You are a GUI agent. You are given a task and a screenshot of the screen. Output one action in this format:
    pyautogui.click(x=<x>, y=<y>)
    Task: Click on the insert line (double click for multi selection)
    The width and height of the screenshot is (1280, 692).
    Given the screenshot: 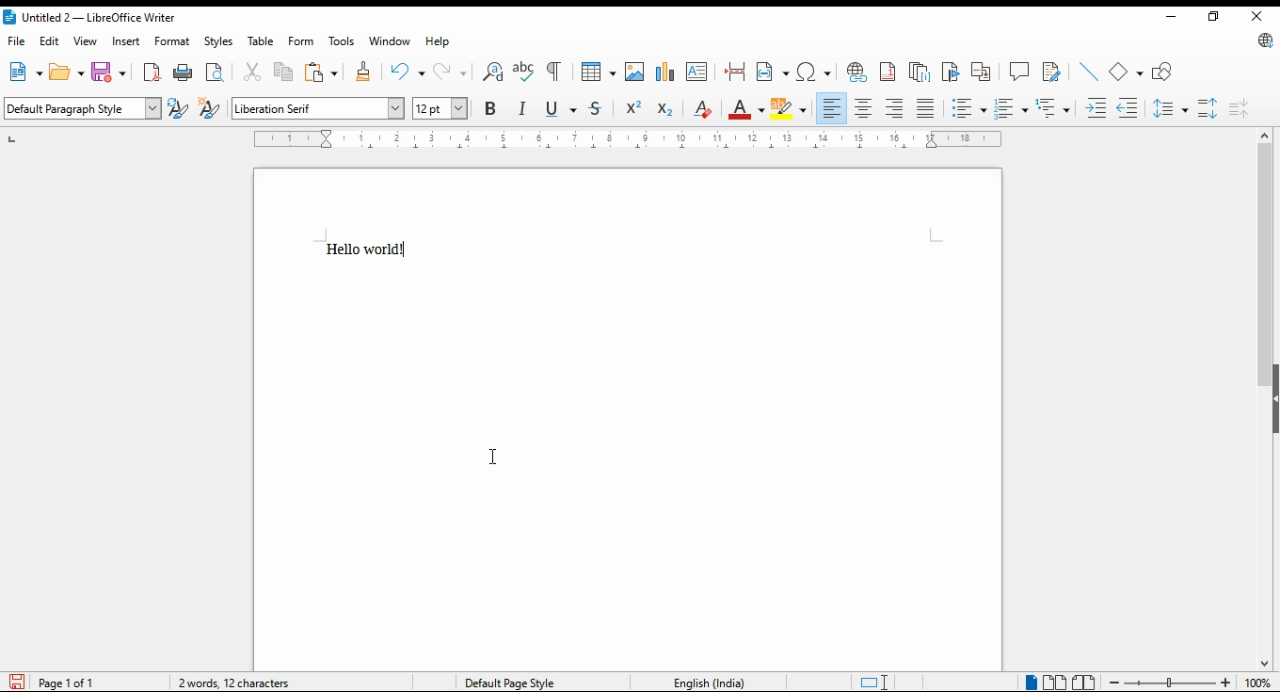 What is the action you would take?
    pyautogui.click(x=1090, y=71)
    